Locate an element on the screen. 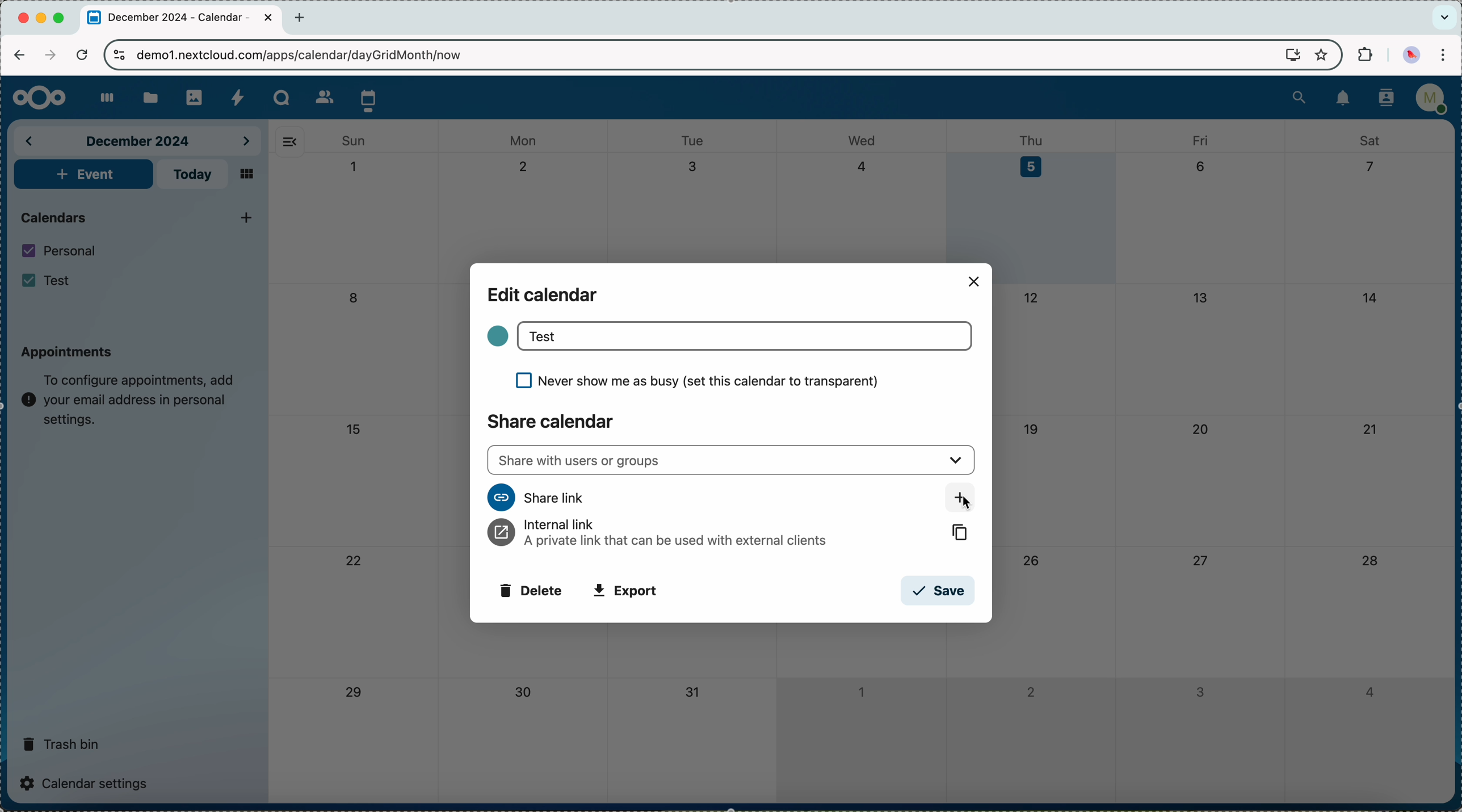 The image size is (1462, 812). copy is located at coordinates (954, 532).